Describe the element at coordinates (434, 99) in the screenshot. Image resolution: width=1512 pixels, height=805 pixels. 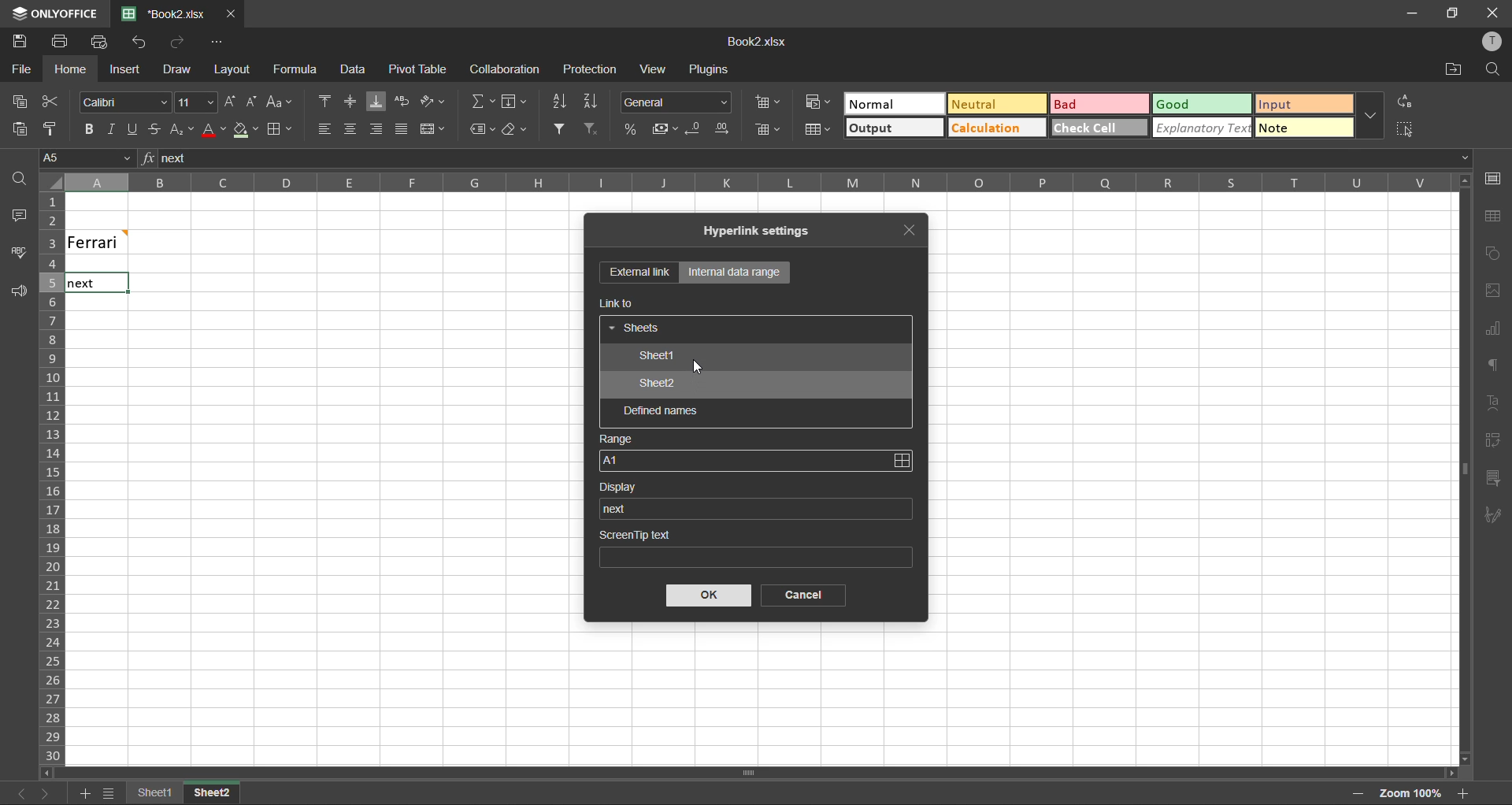
I see `orientation` at that location.